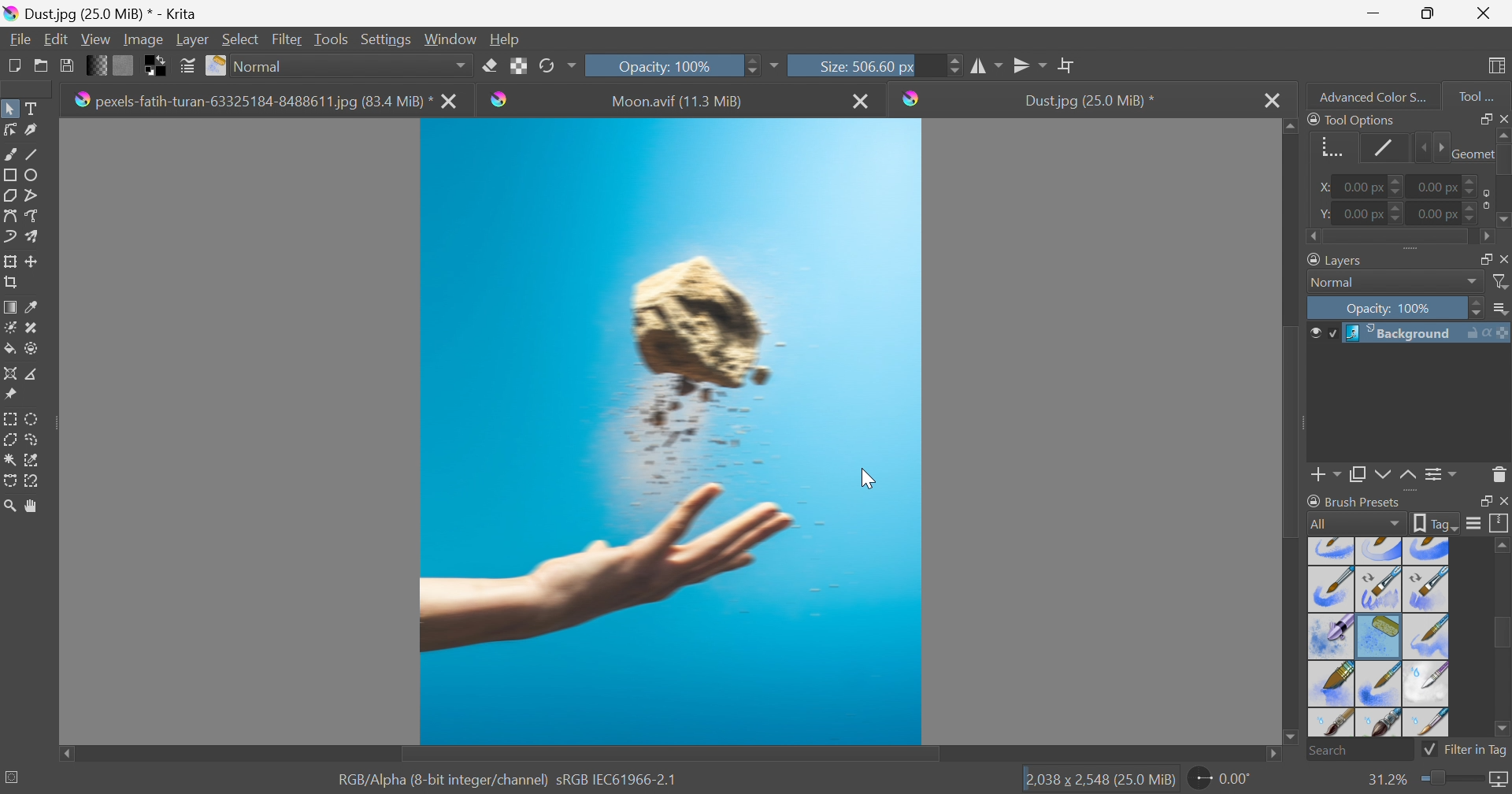  Describe the element at coordinates (867, 479) in the screenshot. I see `Cursor` at that location.